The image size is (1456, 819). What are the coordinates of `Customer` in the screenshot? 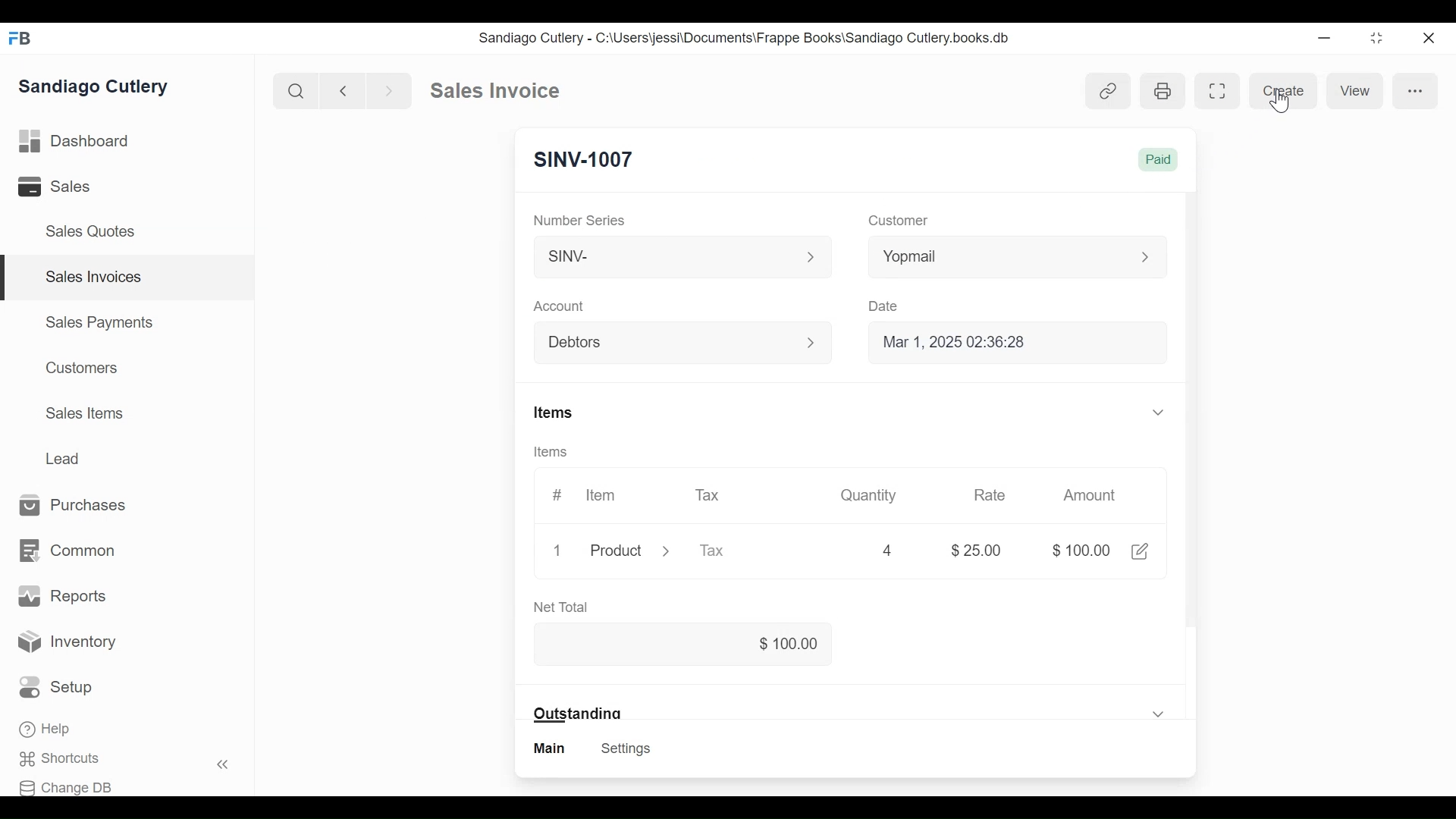 It's located at (901, 219).